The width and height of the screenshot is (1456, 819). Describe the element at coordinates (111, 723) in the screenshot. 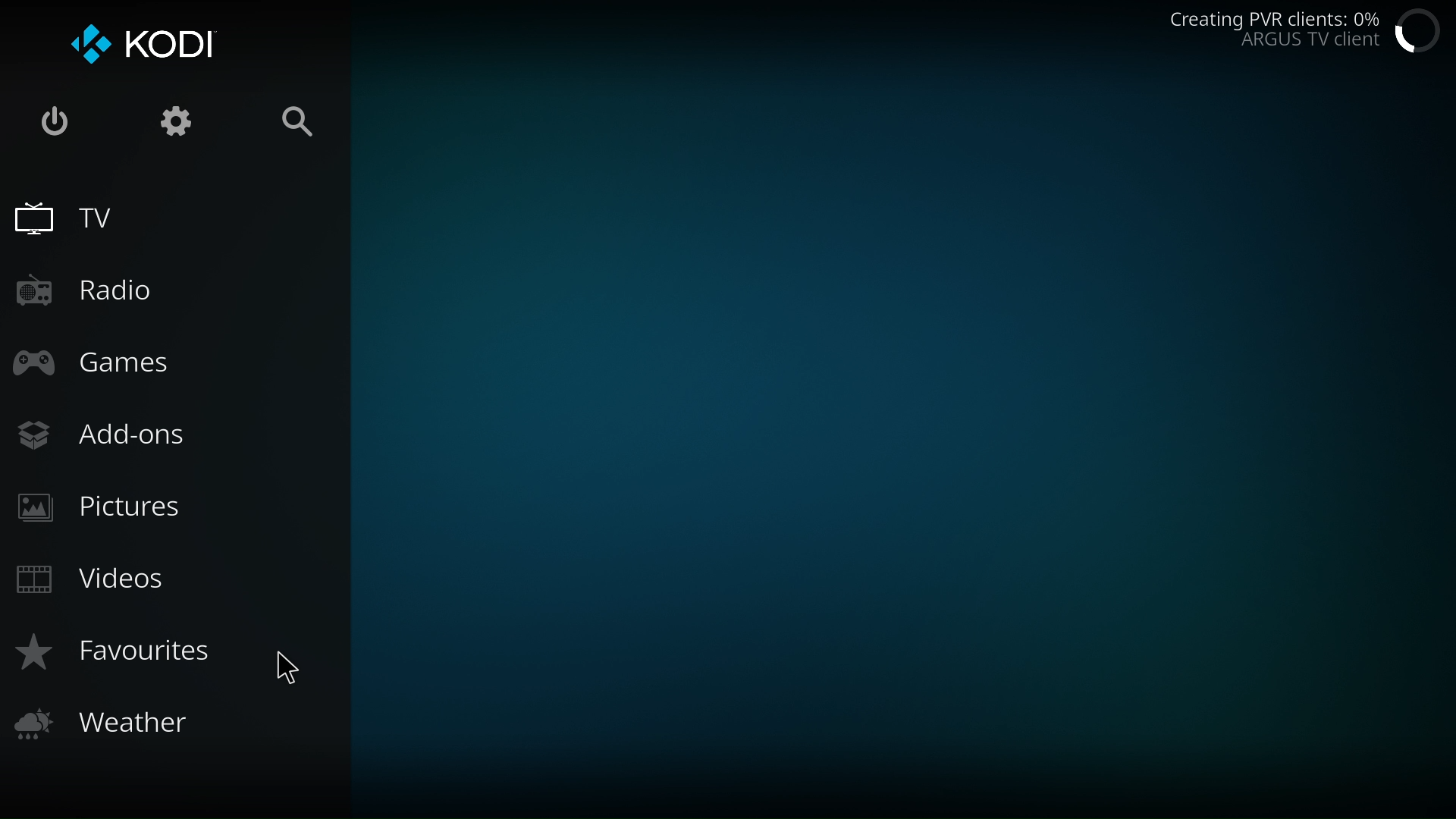

I see `weather` at that location.